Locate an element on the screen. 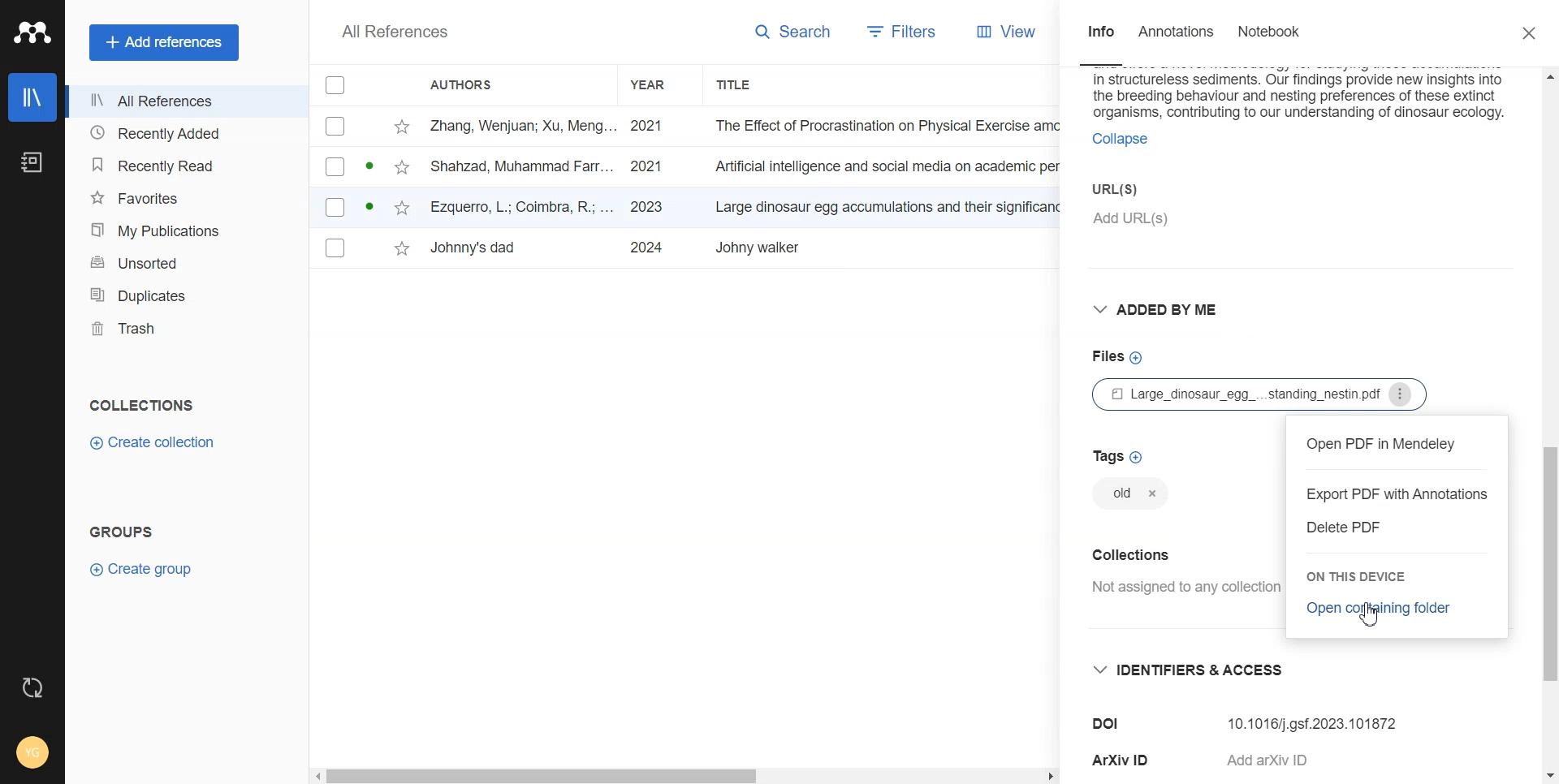 The image size is (1559, 784). Collections is located at coordinates (141, 406).